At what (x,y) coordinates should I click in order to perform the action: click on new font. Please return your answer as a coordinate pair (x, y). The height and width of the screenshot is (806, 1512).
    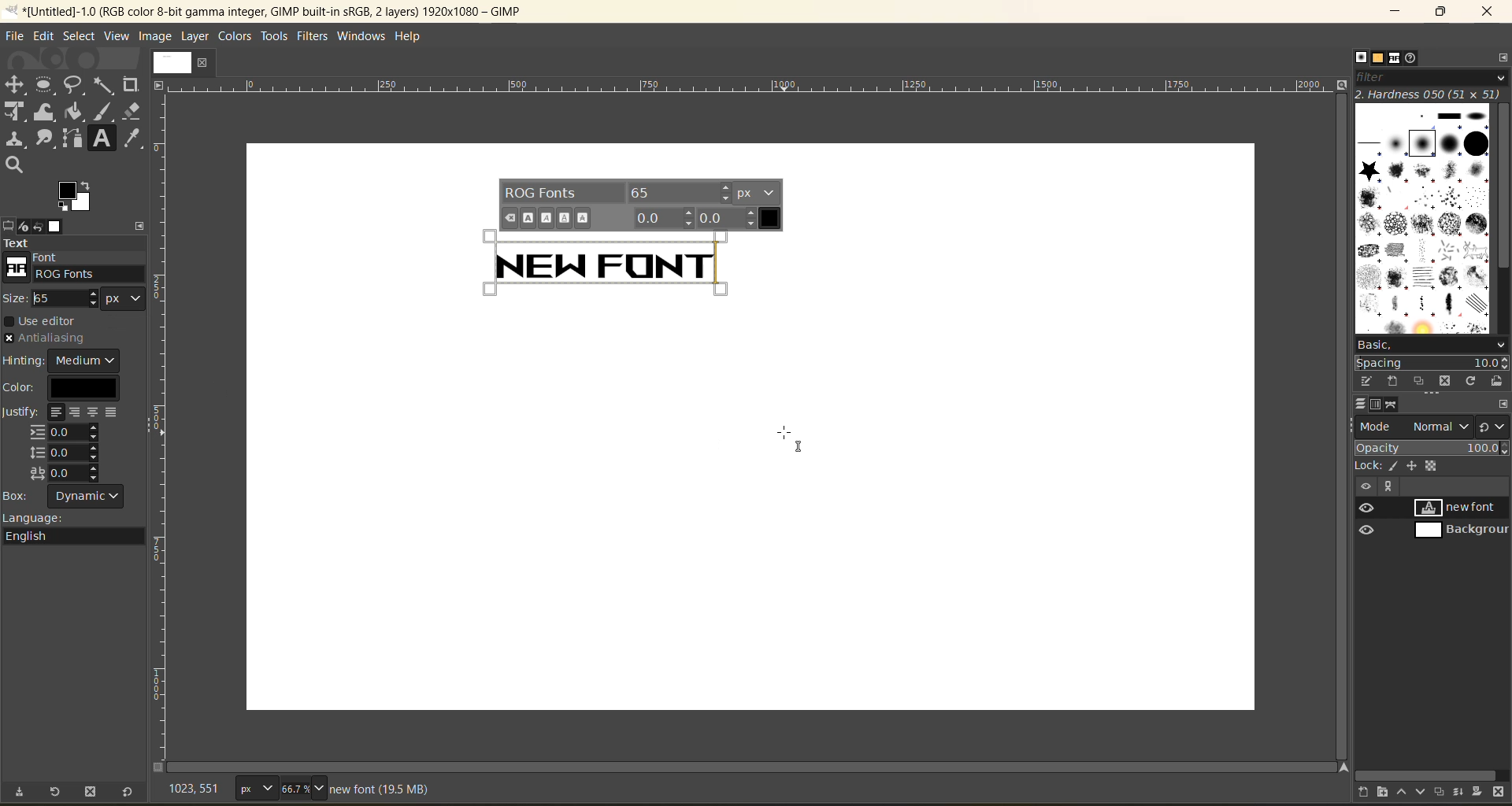
    Looking at the image, I should click on (1464, 509).